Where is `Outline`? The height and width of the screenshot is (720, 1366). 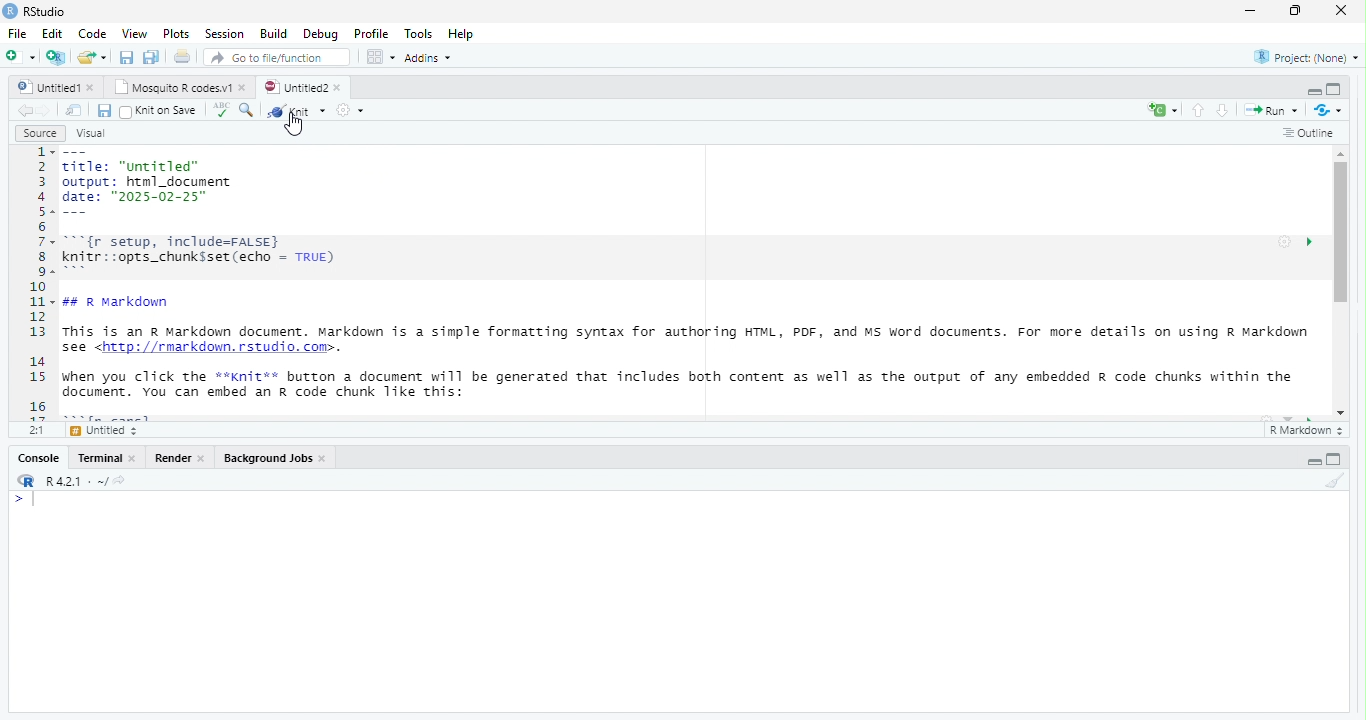 Outline is located at coordinates (1310, 134).